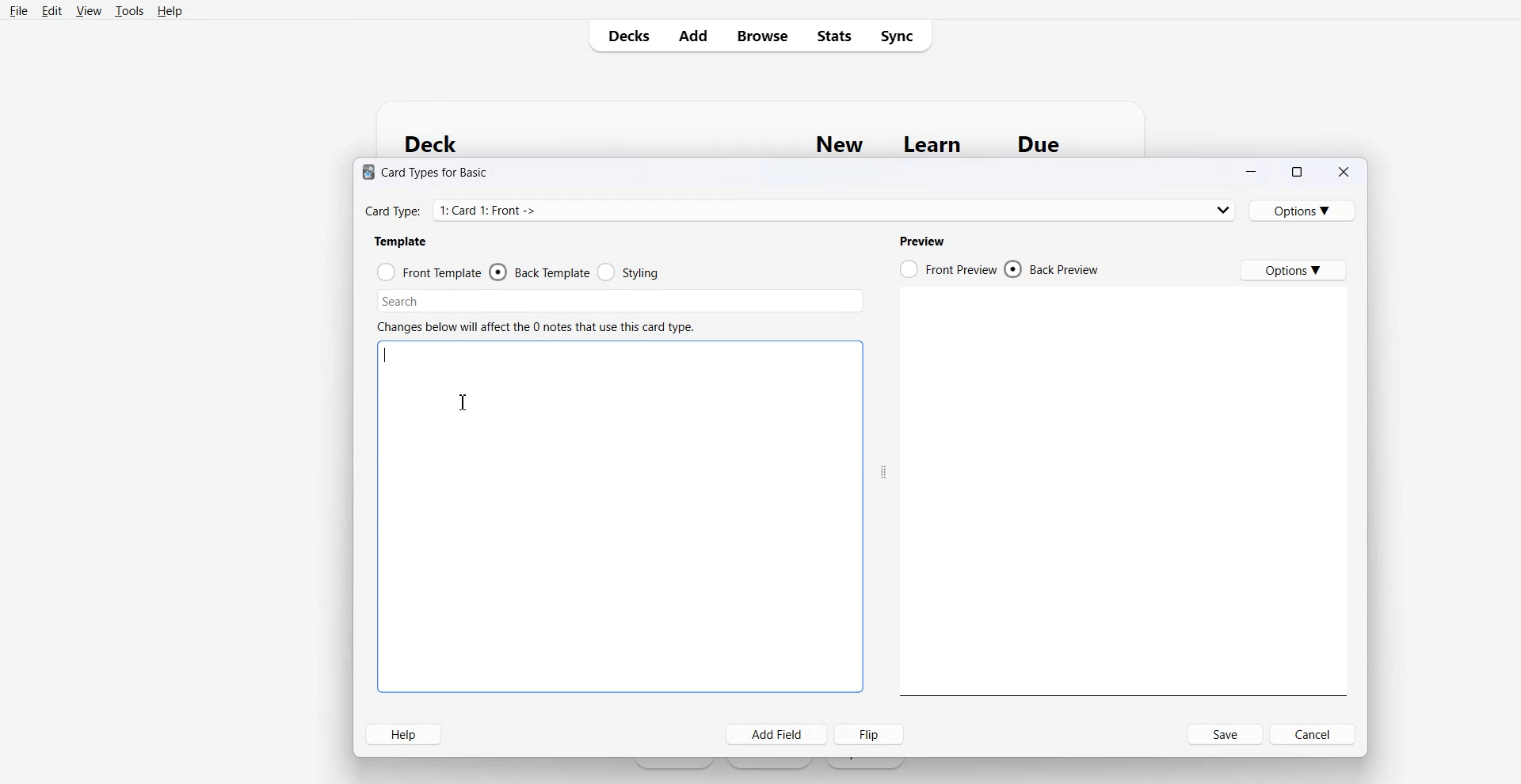  Describe the element at coordinates (429, 173) in the screenshot. I see `® Card Types for Basic` at that location.